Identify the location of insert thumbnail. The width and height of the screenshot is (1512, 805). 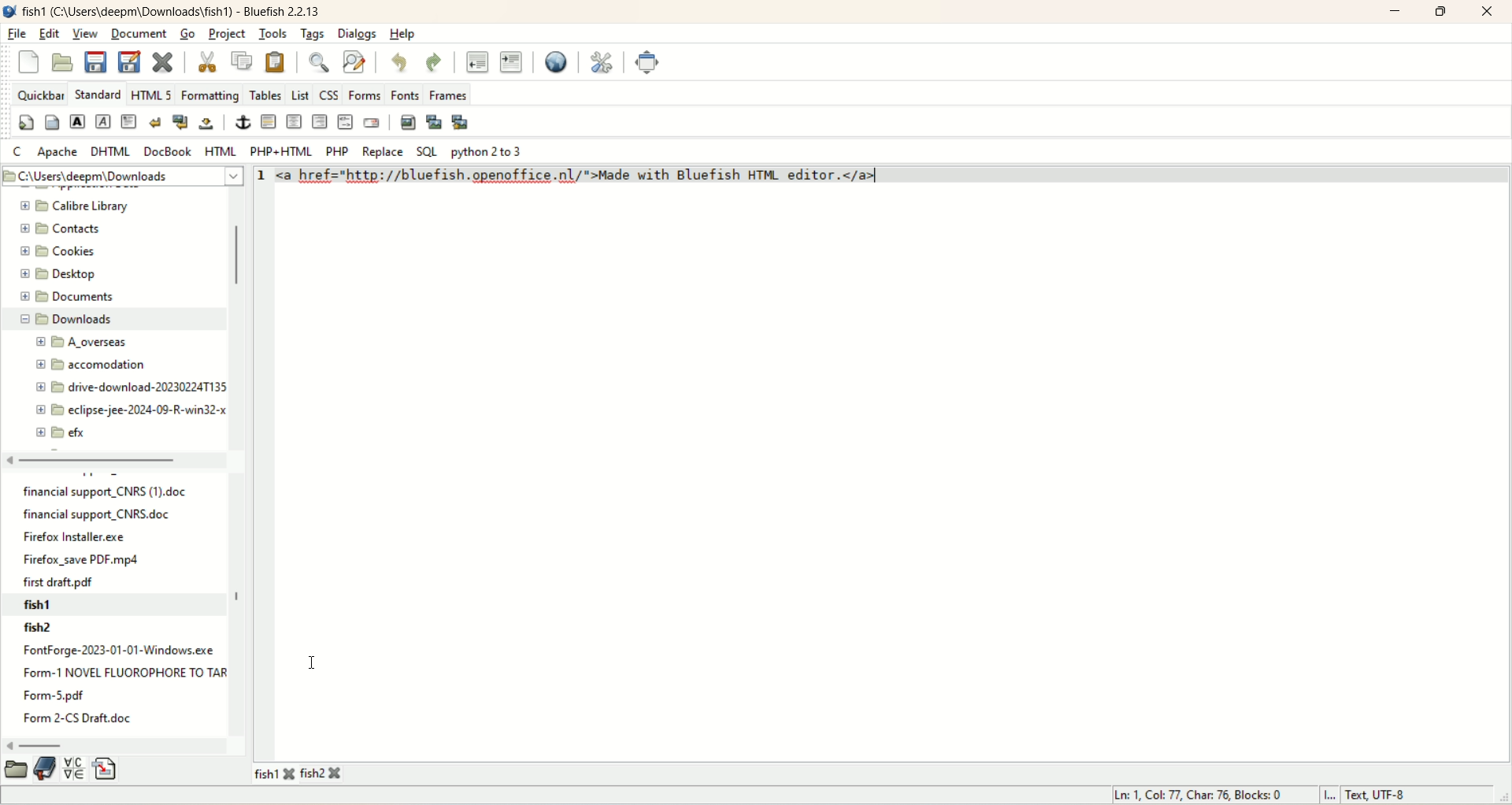
(435, 123).